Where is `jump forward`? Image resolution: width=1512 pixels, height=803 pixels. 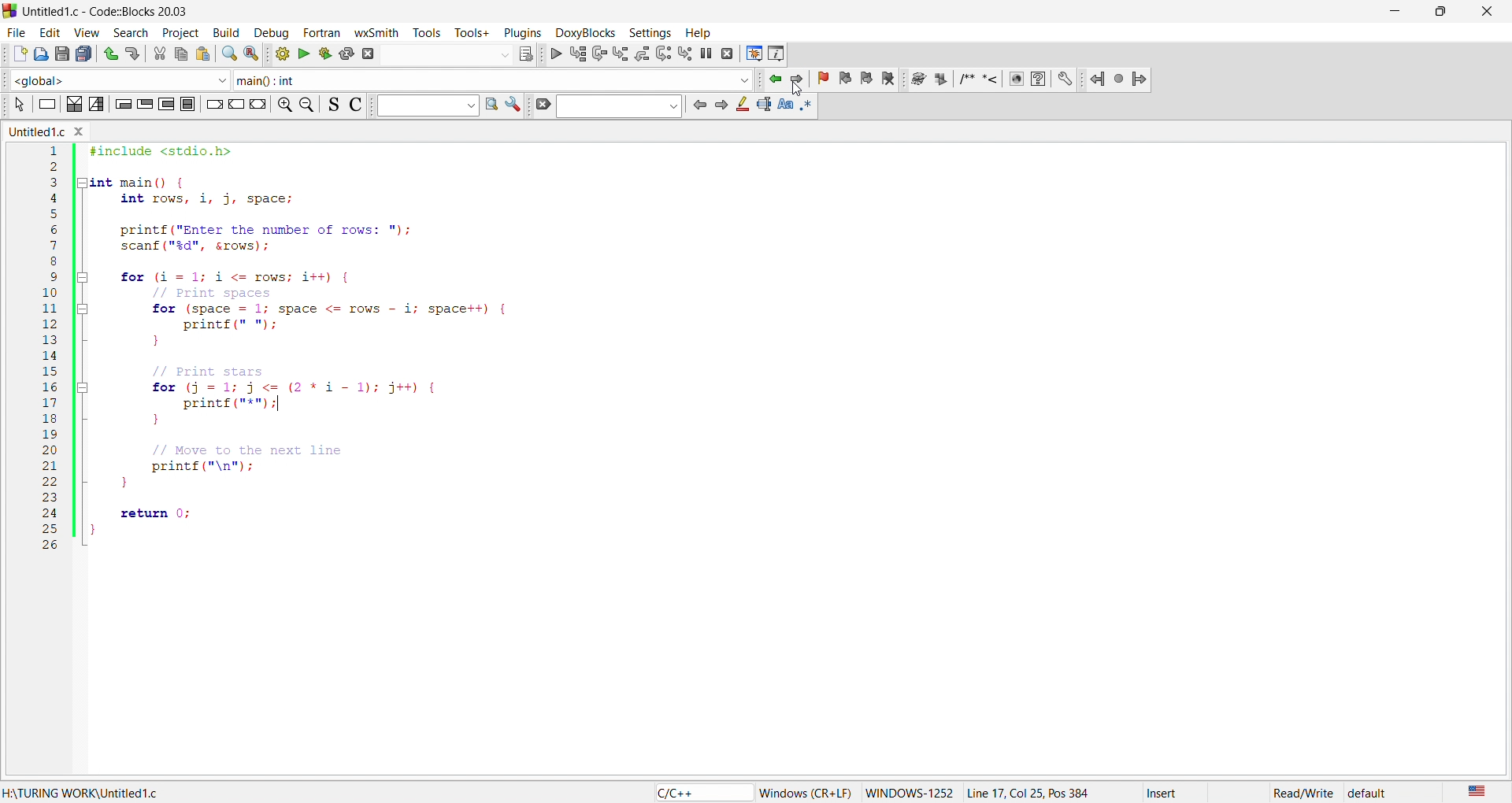 jump forward is located at coordinates (801, 77).